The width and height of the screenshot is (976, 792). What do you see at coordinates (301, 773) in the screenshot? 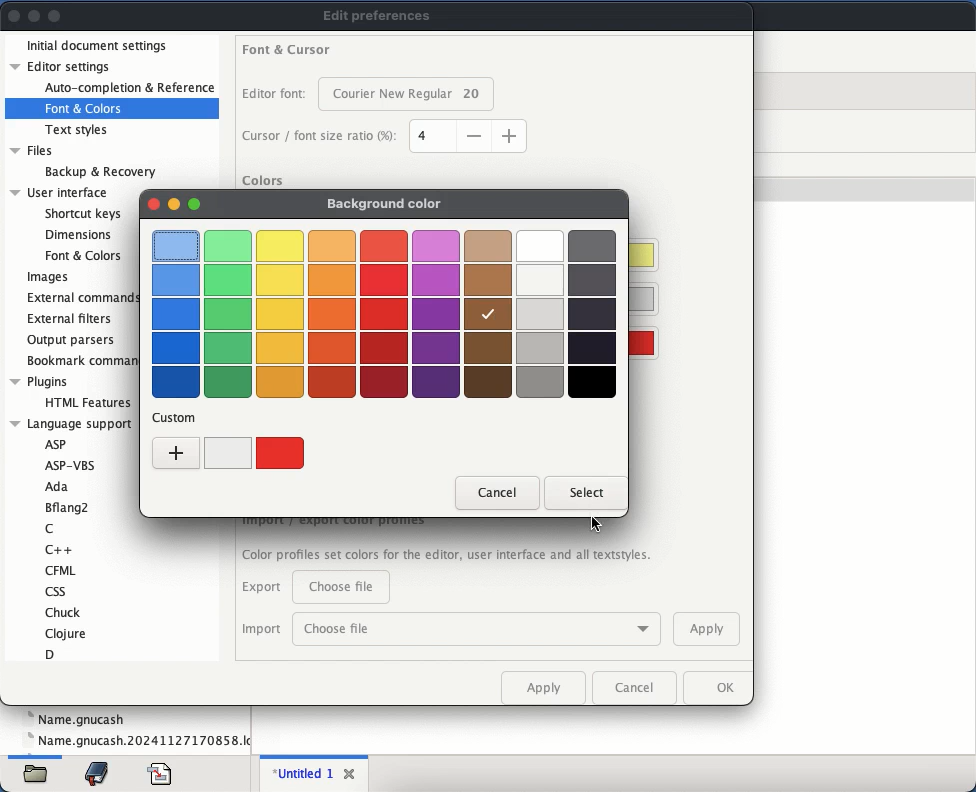
I see `untitled 1` at bounding box center [301, 773].